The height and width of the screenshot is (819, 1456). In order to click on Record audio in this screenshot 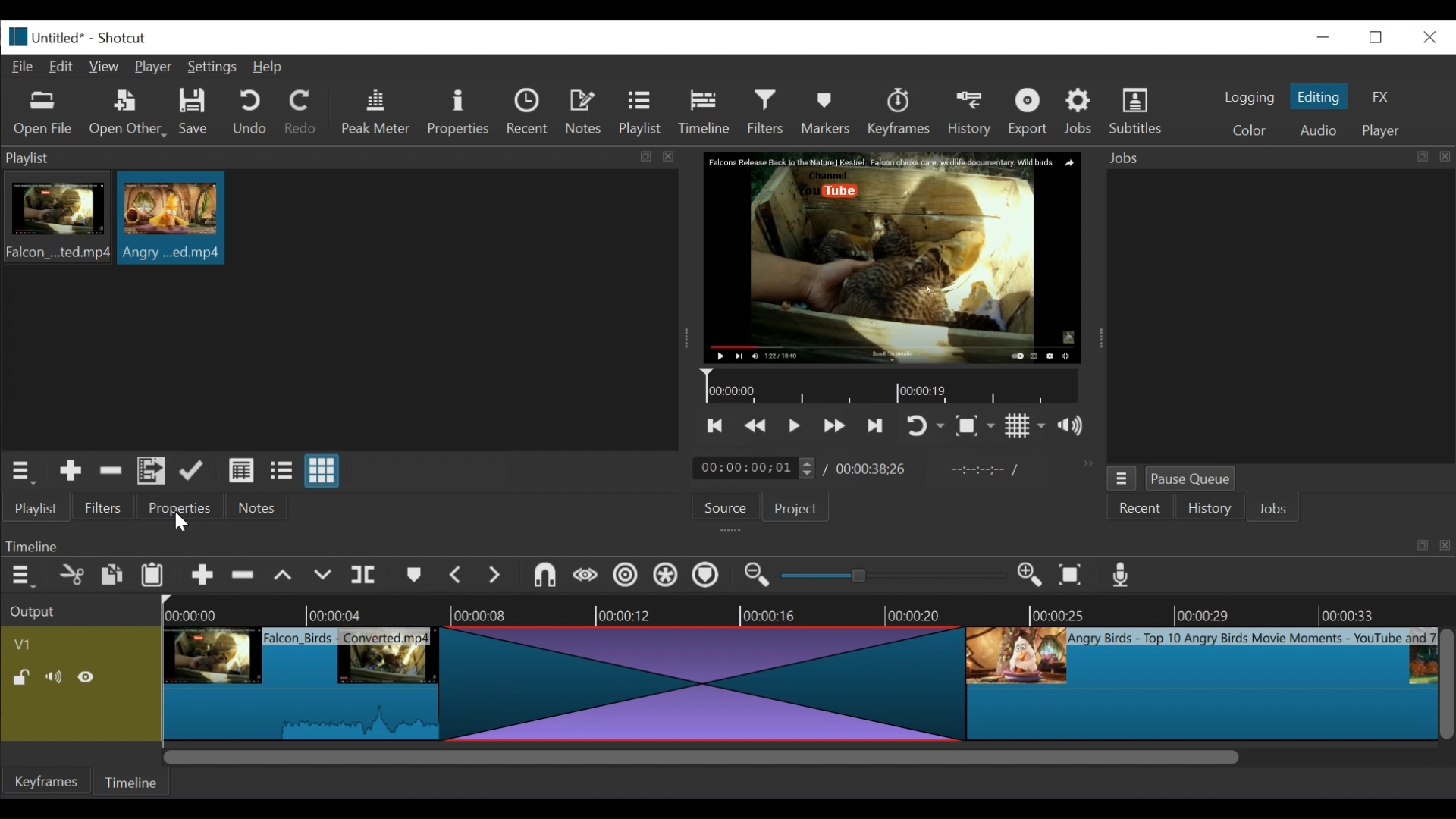, I will do `click(1122, 579)`.